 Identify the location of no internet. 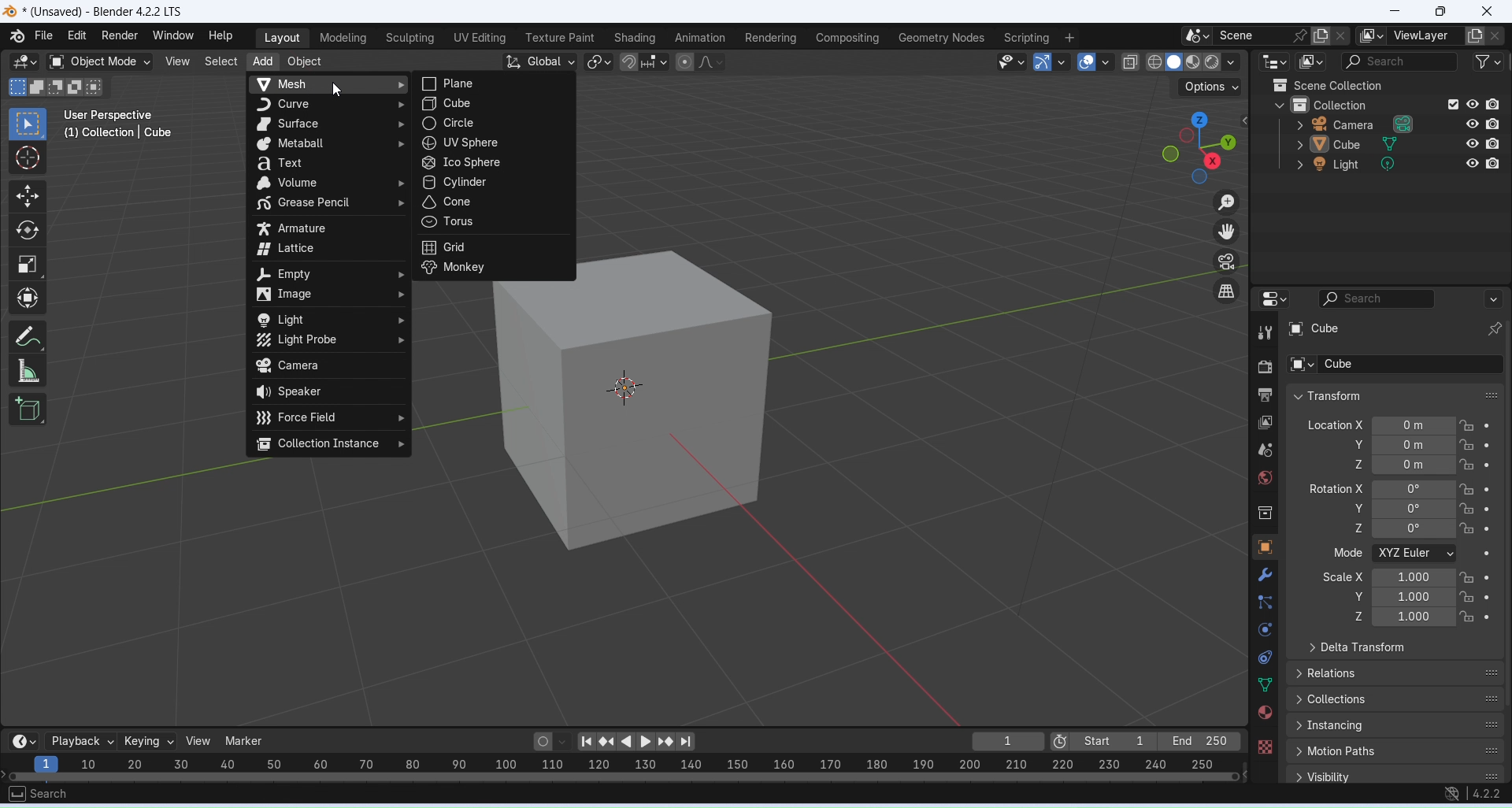
(1452, 795).